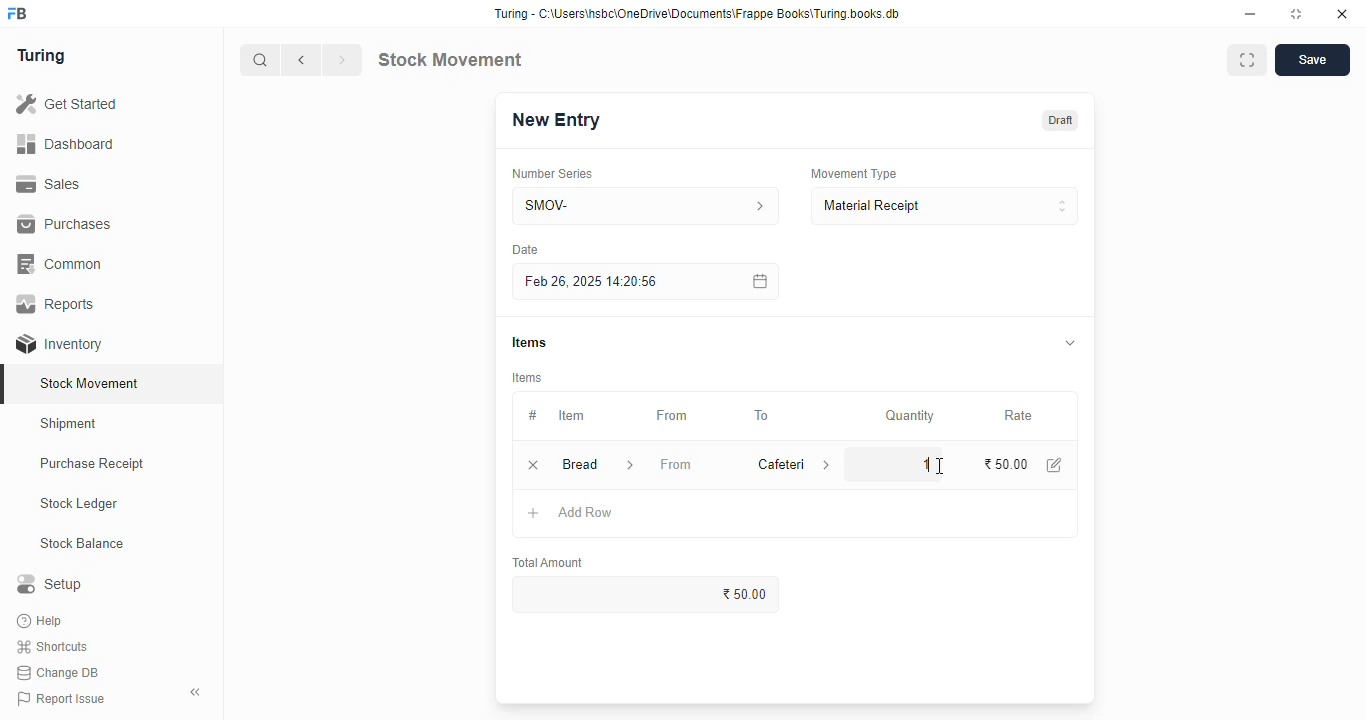 This screenshot has width=1366, height=720. What do you see at coordinates (915, 463) in the screenshot?
I see `1 - typing` at bounding box center [915, 463].